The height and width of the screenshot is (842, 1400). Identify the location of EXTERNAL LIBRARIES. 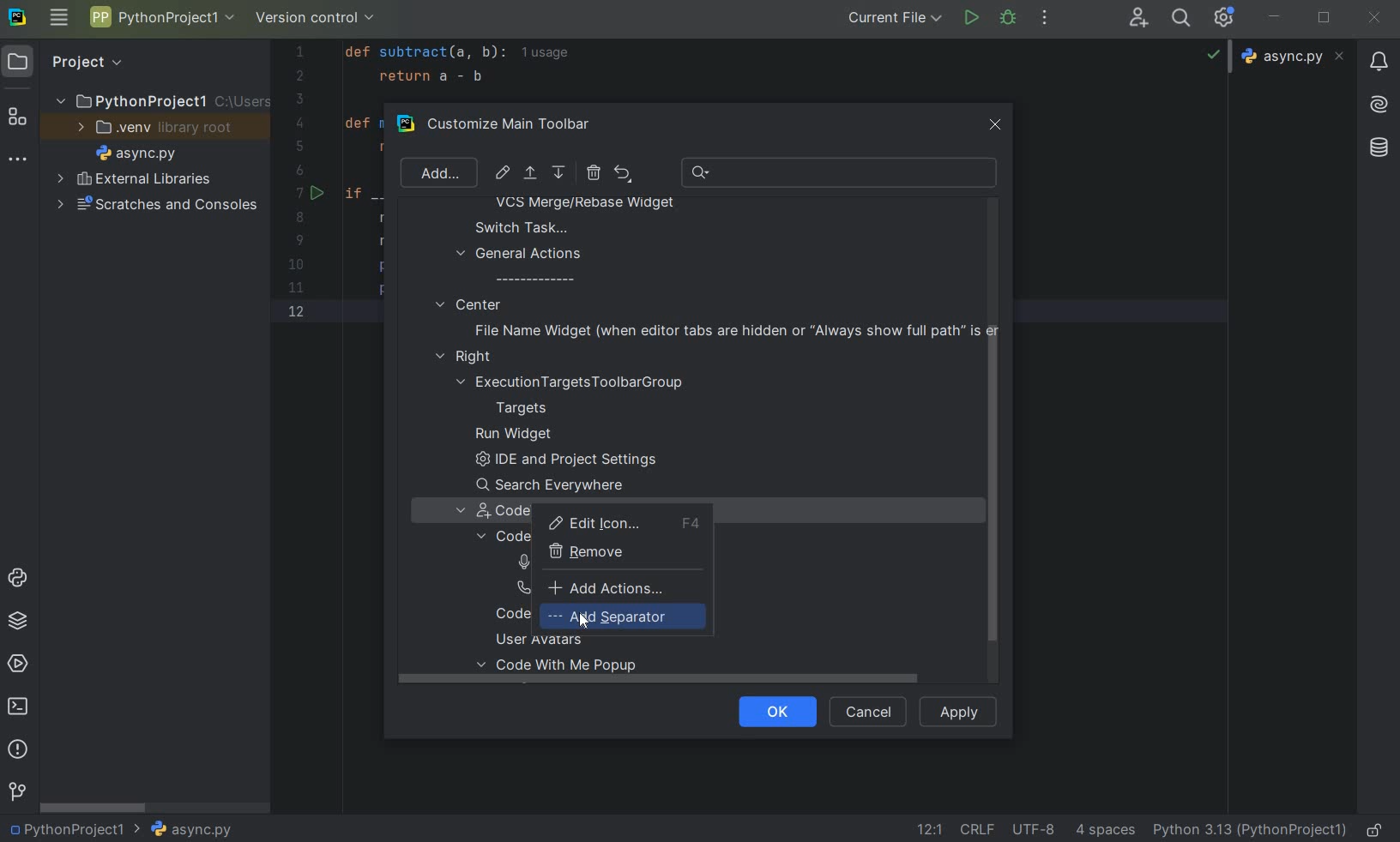
(135, 180).